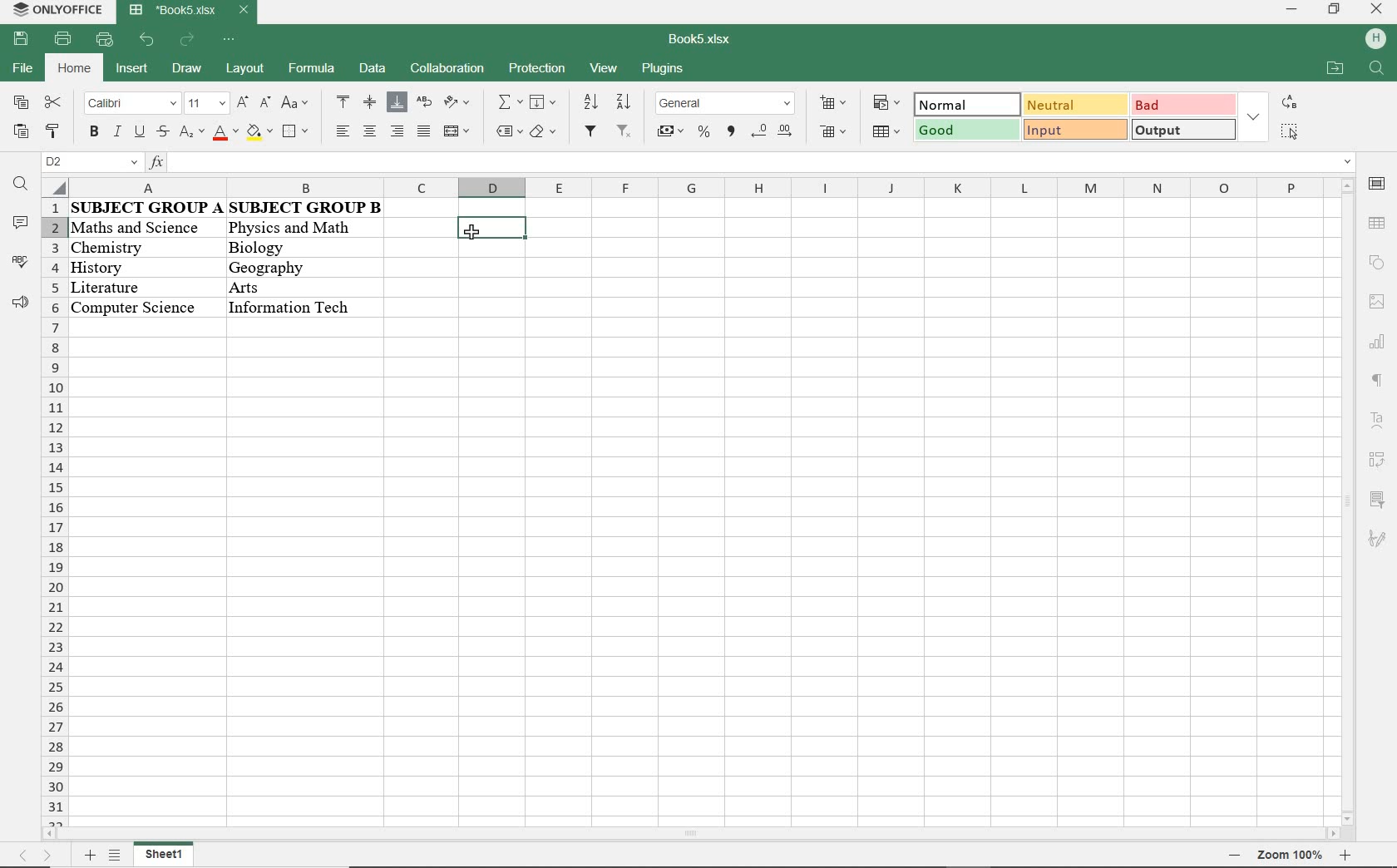 This screenshot has width=1397, height=868. I want to click on copy style, so click(52, 133).